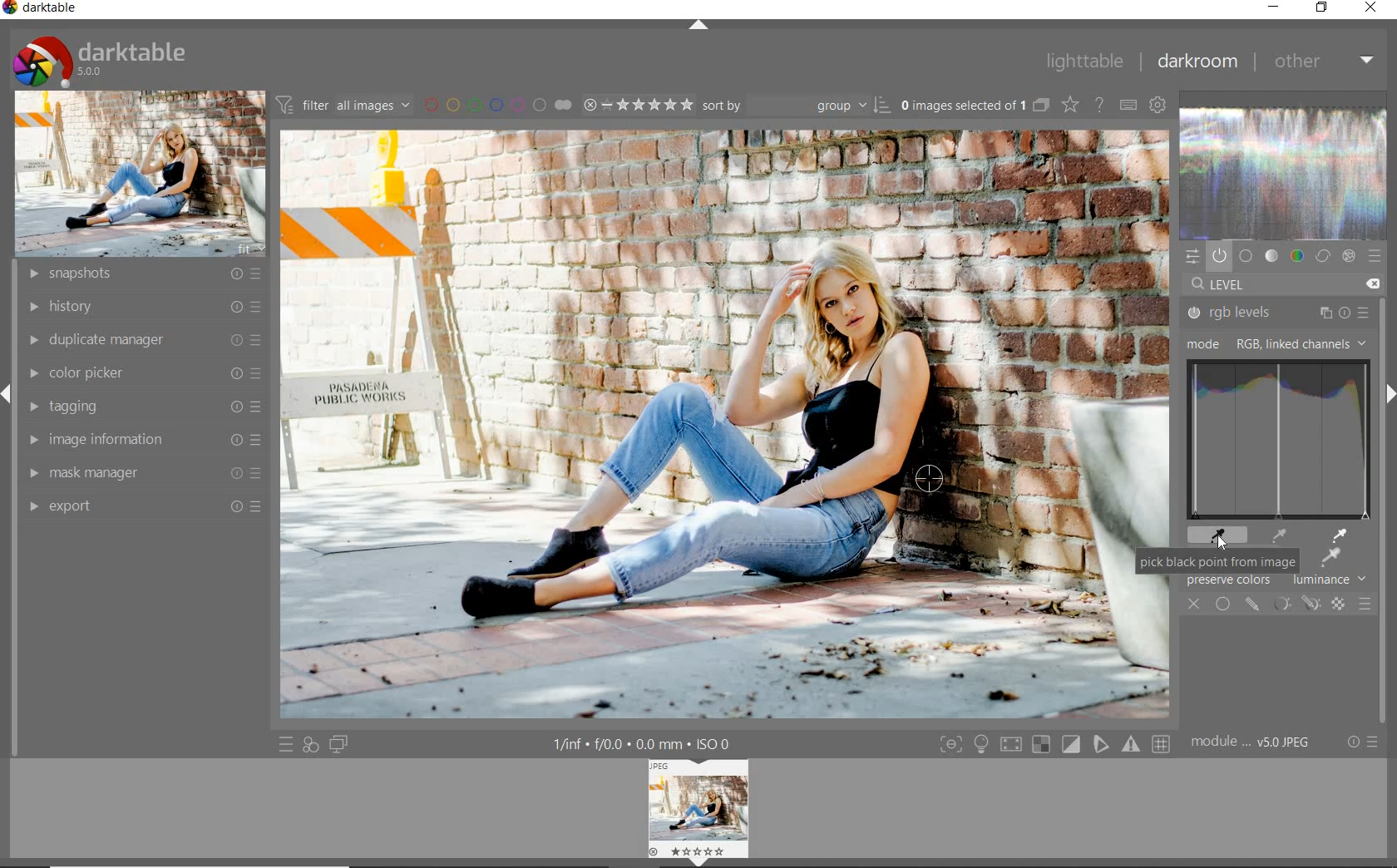 This screenshot has width=1397, height=868. I want to click on preserve colors, so click(1228, 579).